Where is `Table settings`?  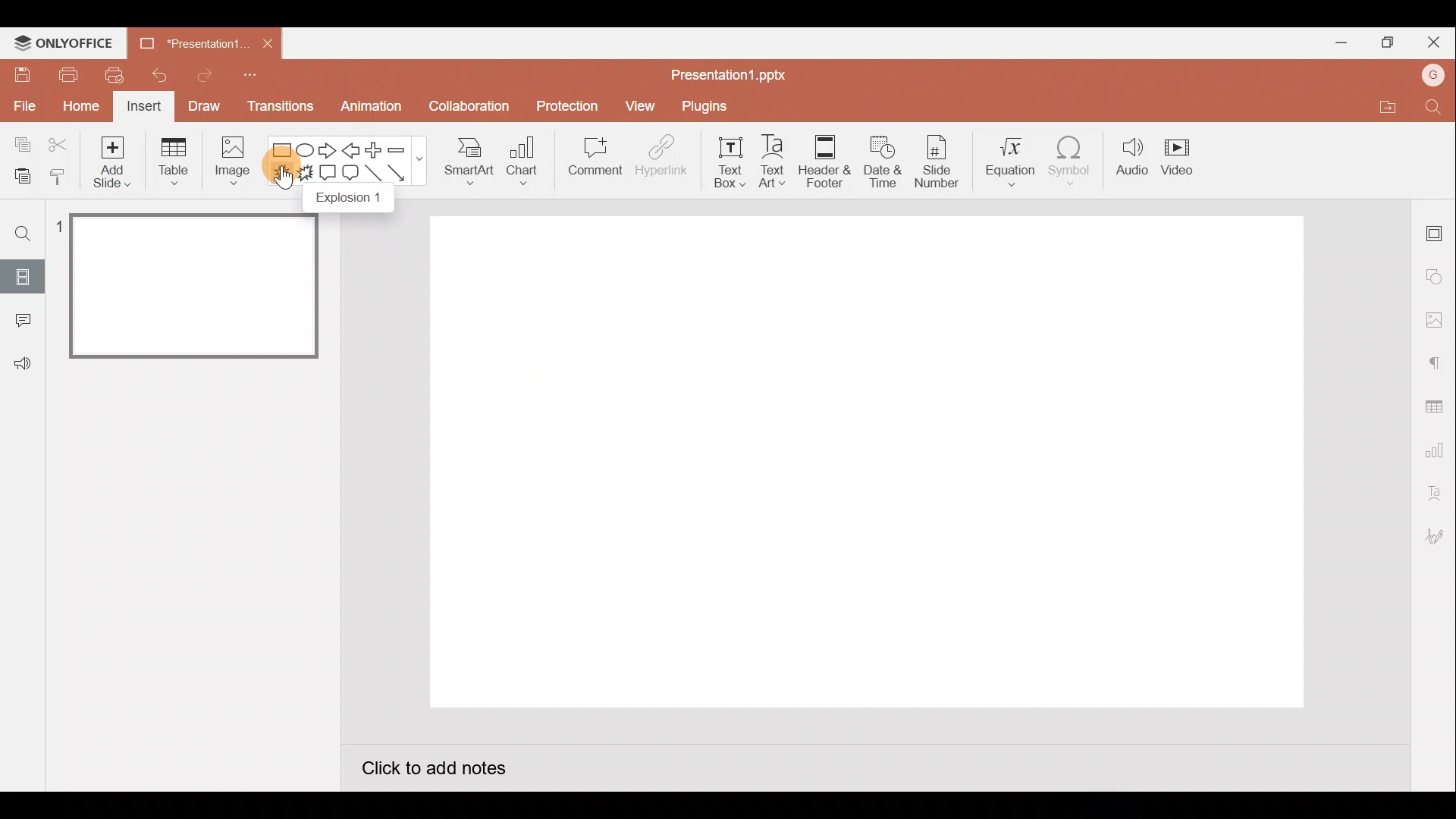
Table settings is located at coordinates (1437, 403).